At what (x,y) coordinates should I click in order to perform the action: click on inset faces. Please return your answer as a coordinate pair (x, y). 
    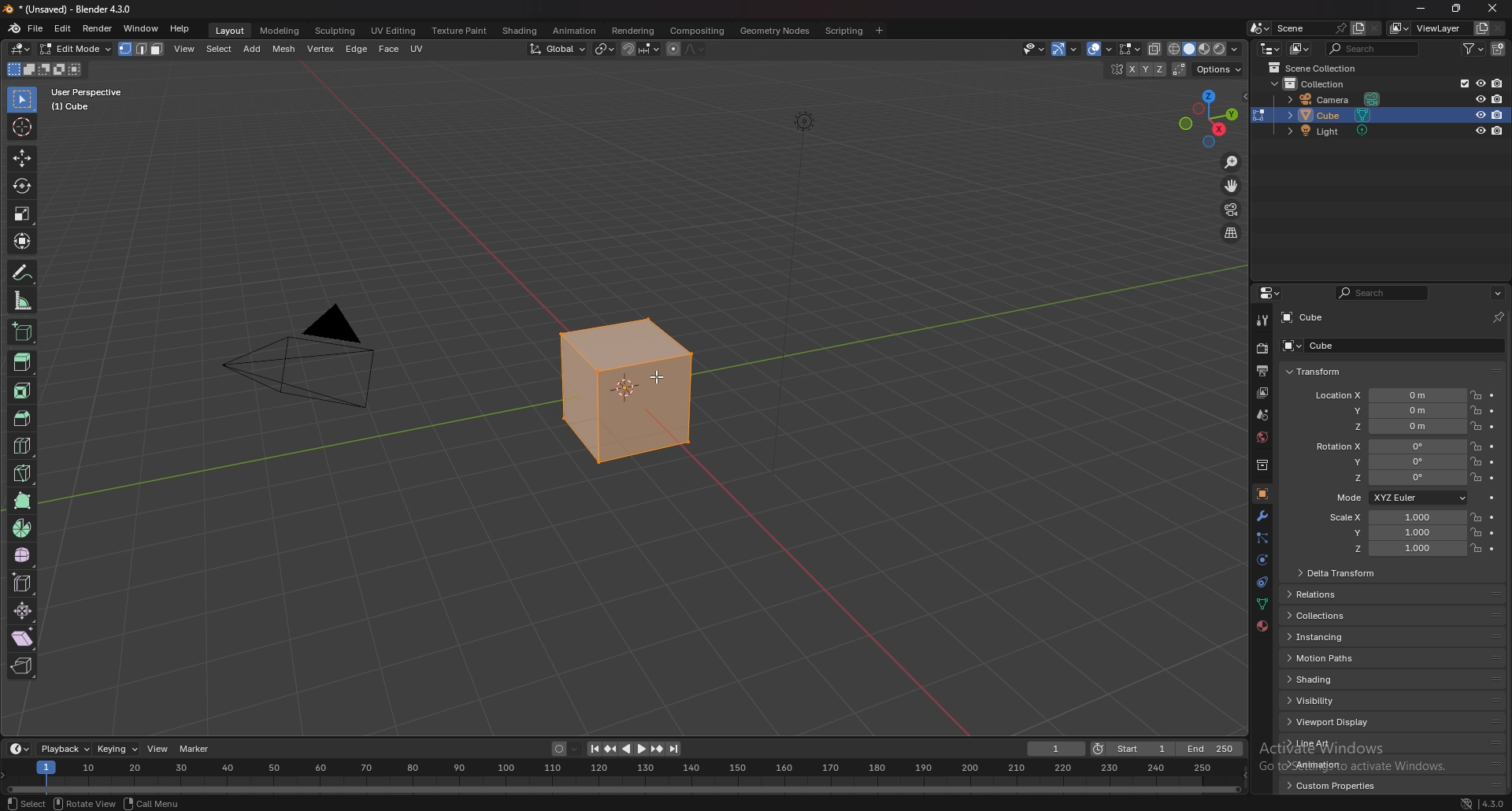
    Looking at the image, I should click on (21, 391).